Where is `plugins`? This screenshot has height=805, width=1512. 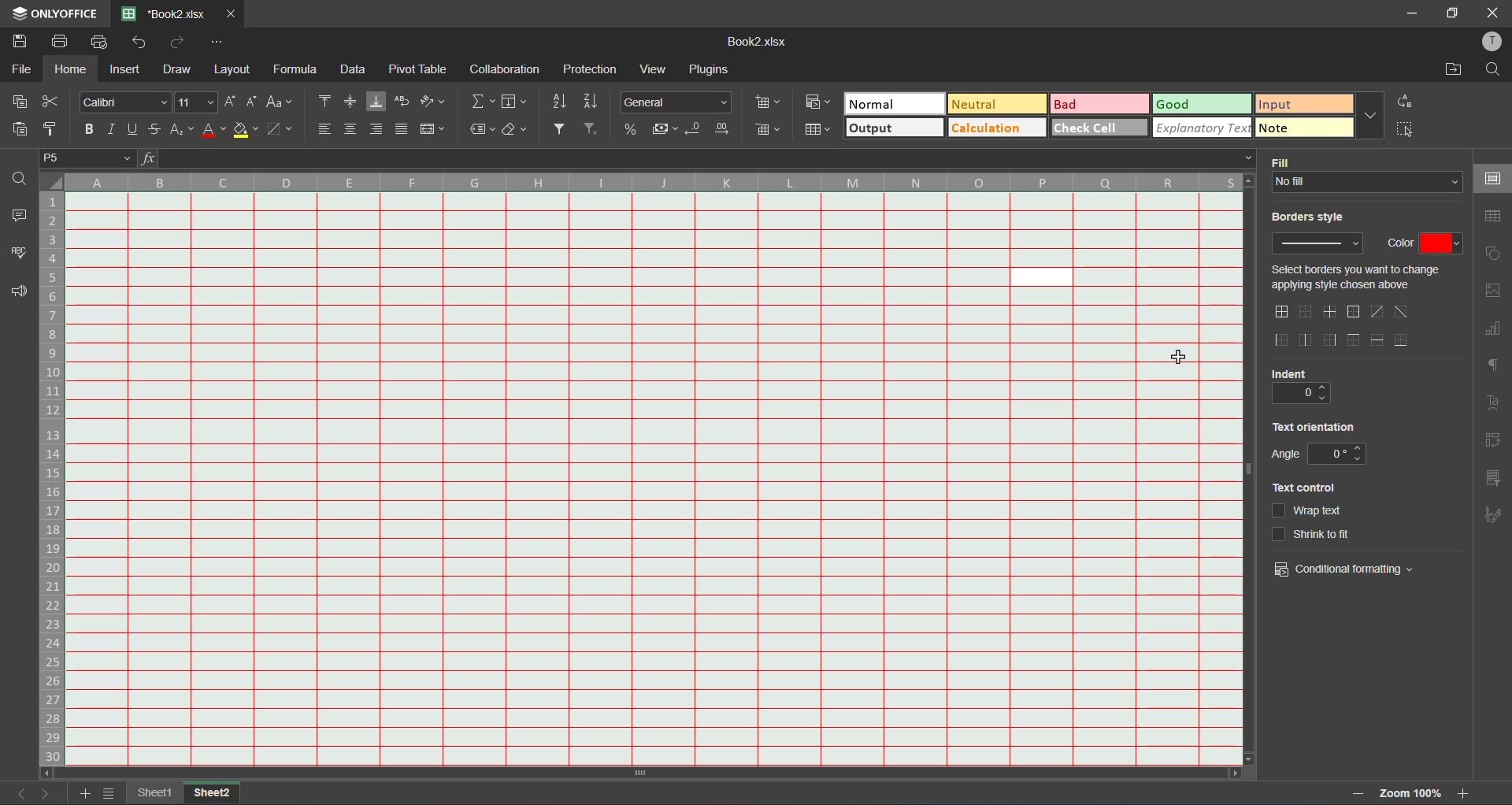
plugins is located at coordinates (714, 71).